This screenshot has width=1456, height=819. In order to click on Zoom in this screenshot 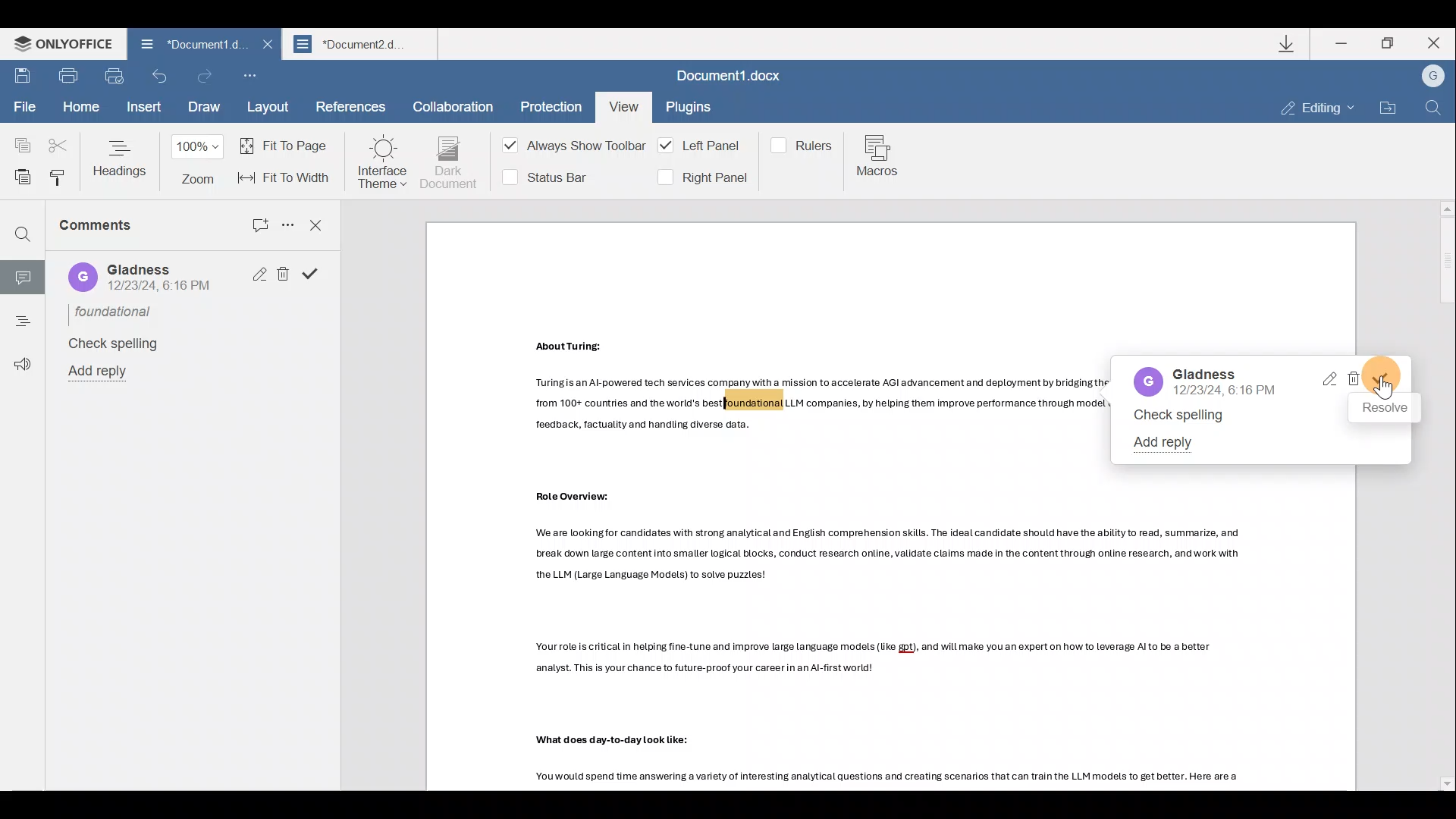, I will do `click(200, 162)`.